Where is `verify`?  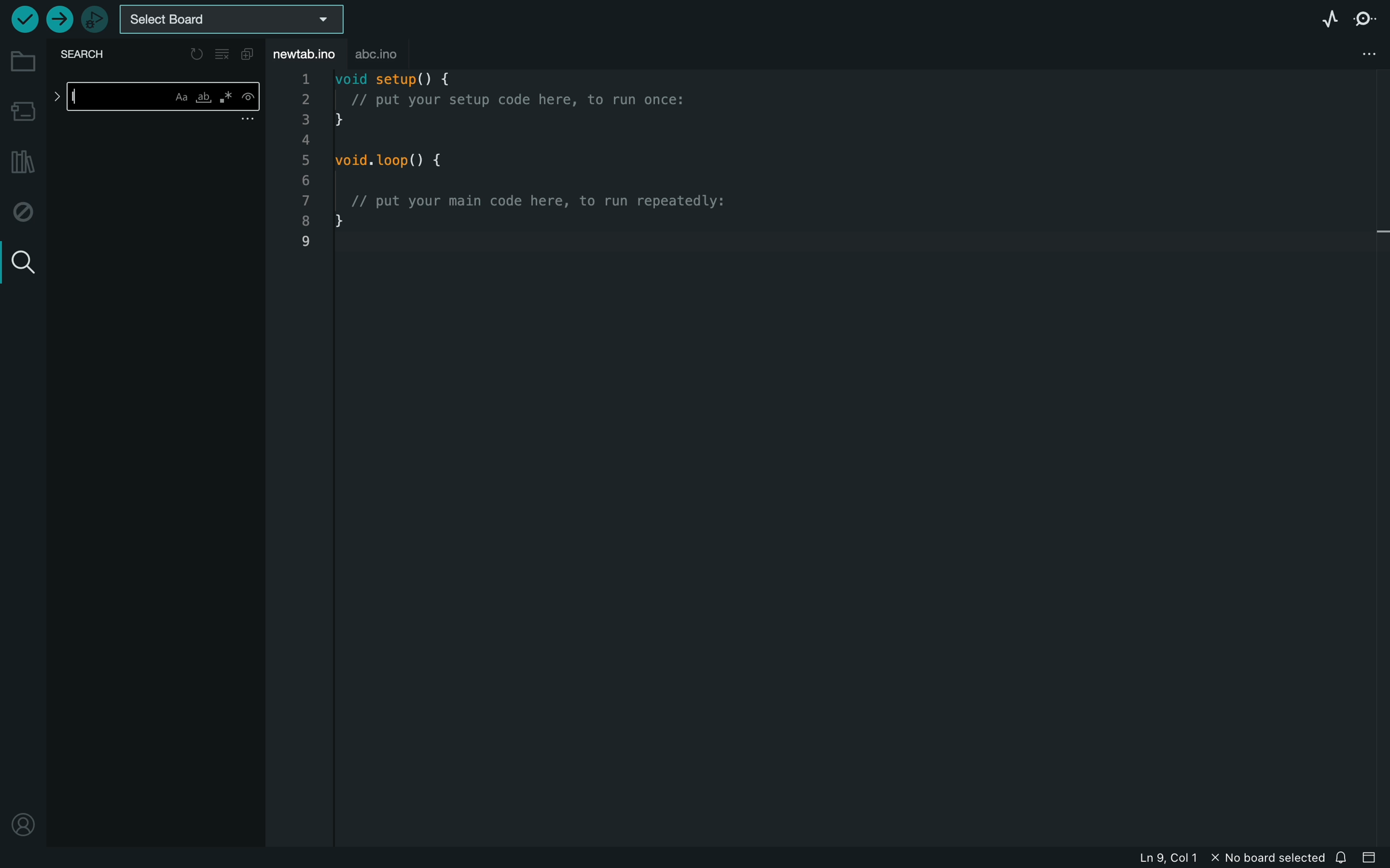
verify is located at coordinates (23, 20).